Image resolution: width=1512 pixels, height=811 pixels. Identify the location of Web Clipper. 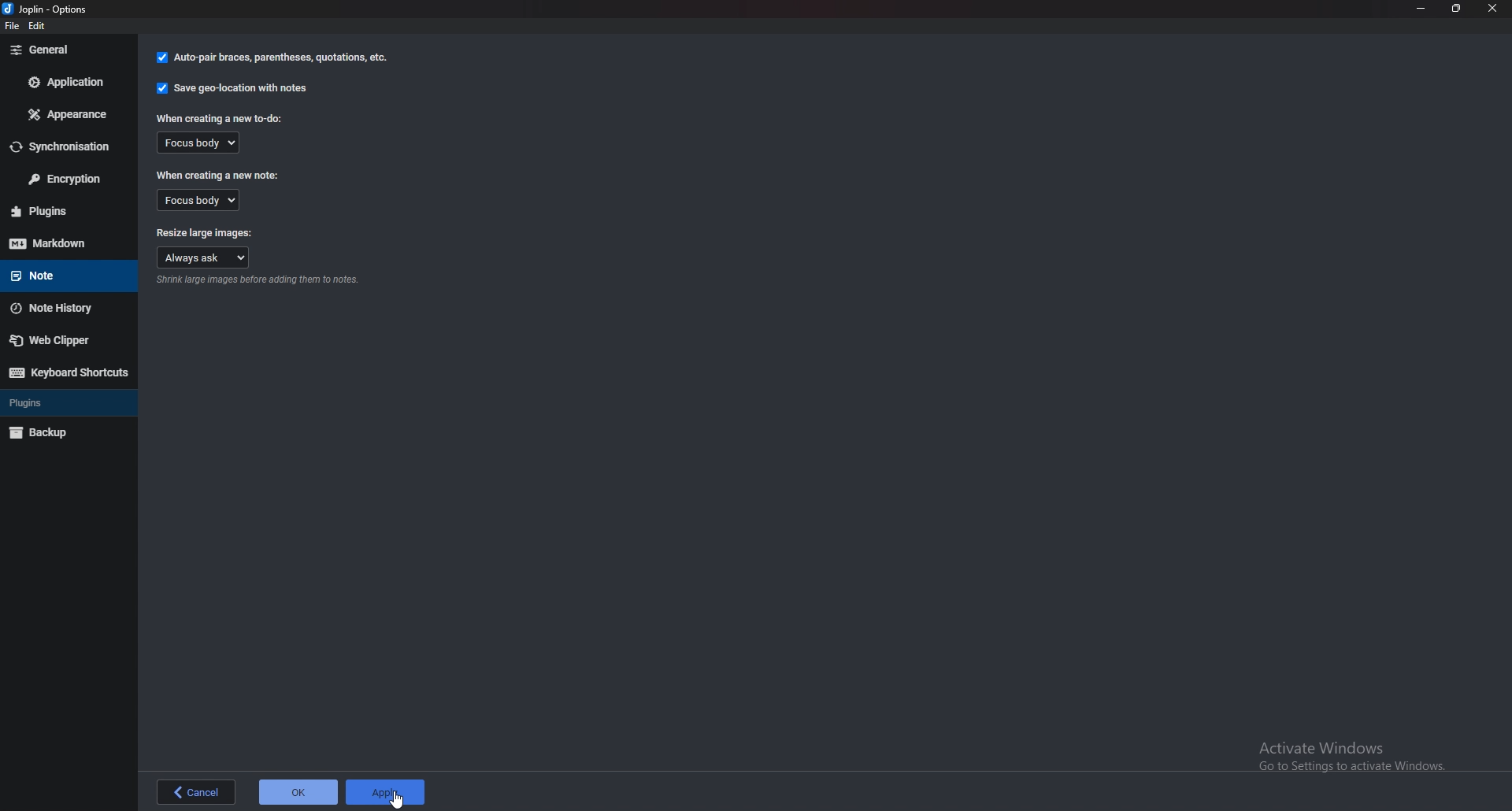
(63, 341).